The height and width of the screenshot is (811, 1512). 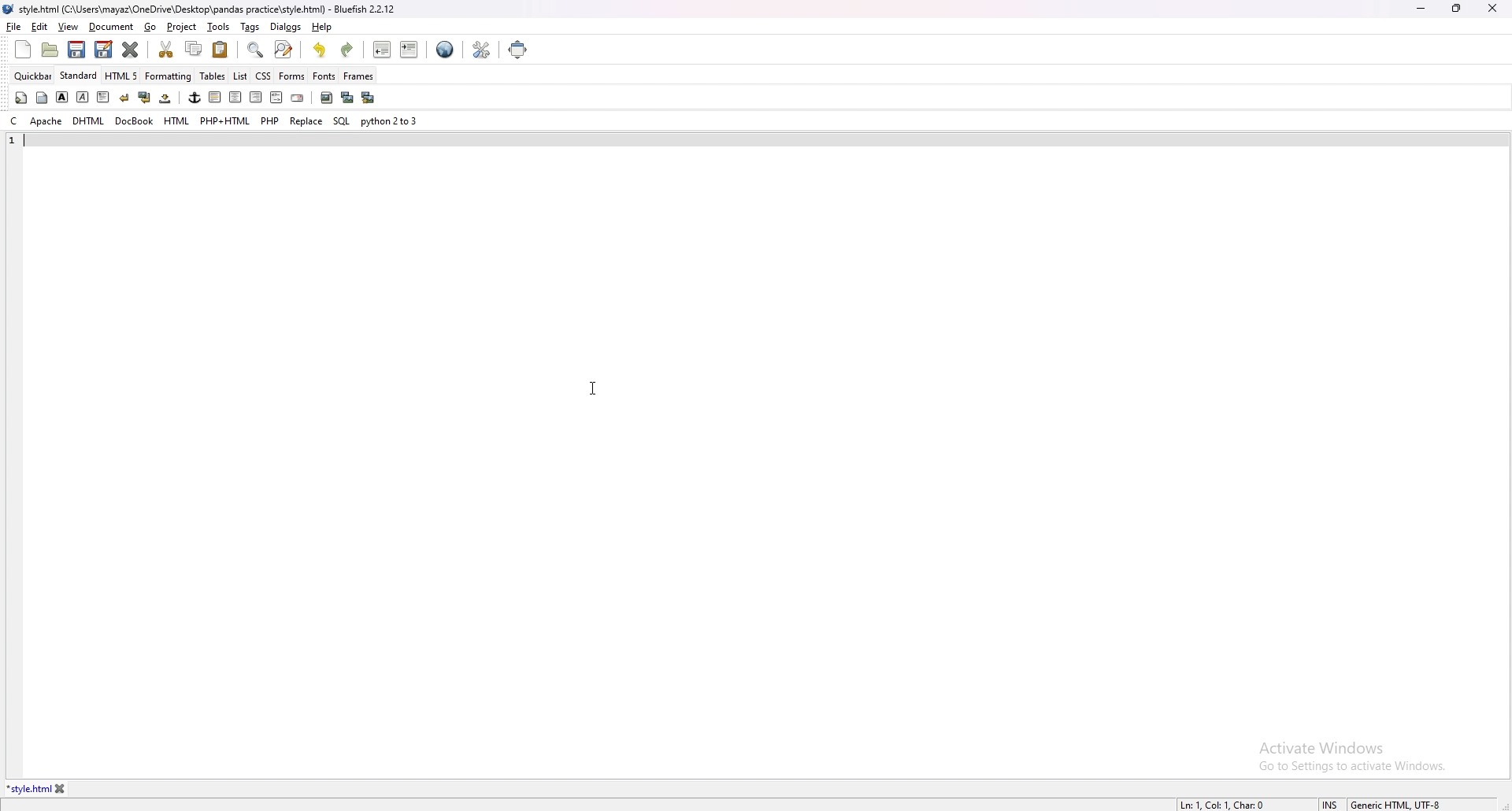 I want to click on body, so click(x=43, y=96).